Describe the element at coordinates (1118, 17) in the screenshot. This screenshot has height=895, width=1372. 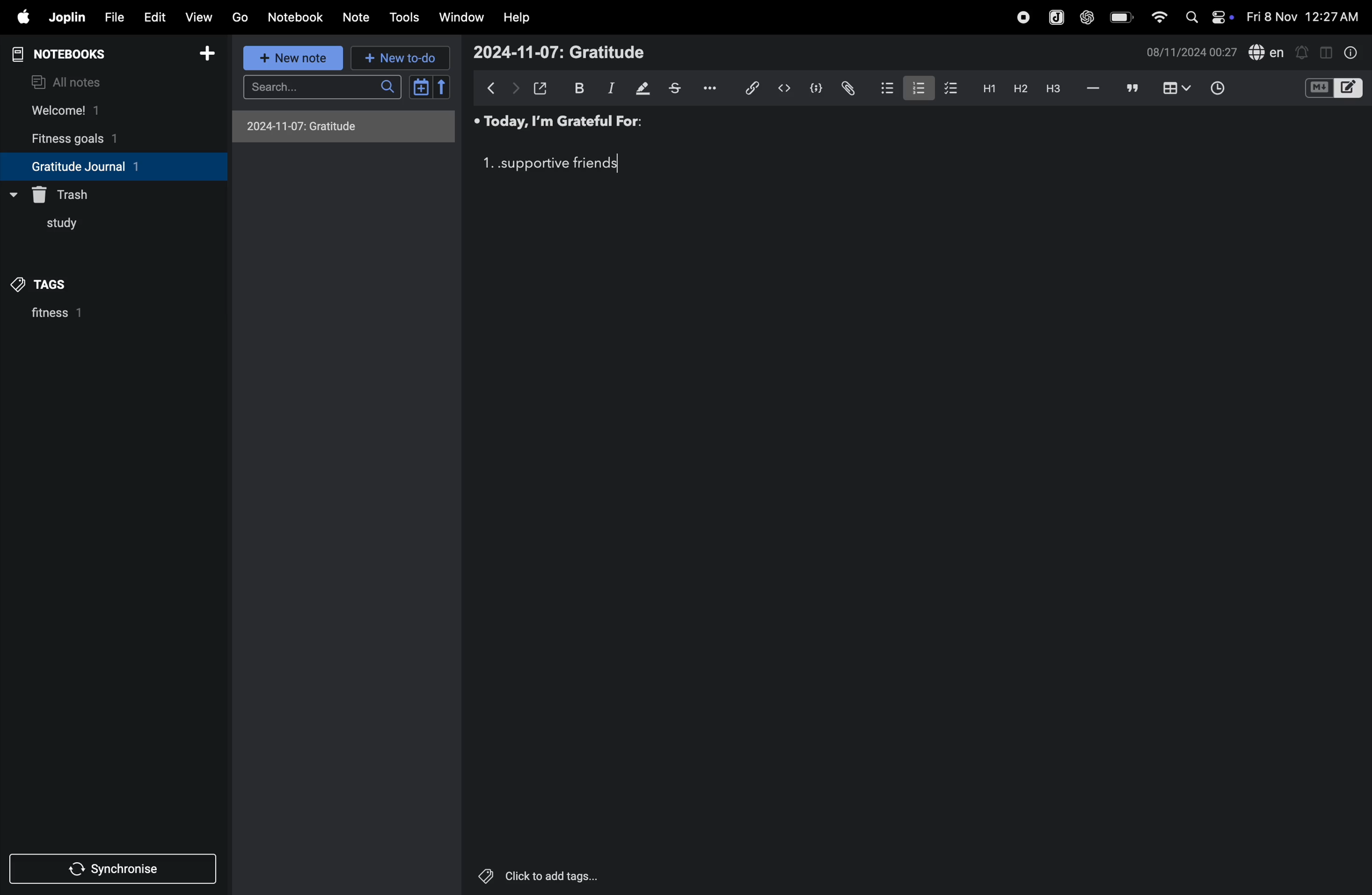
I see `battery` at that location.